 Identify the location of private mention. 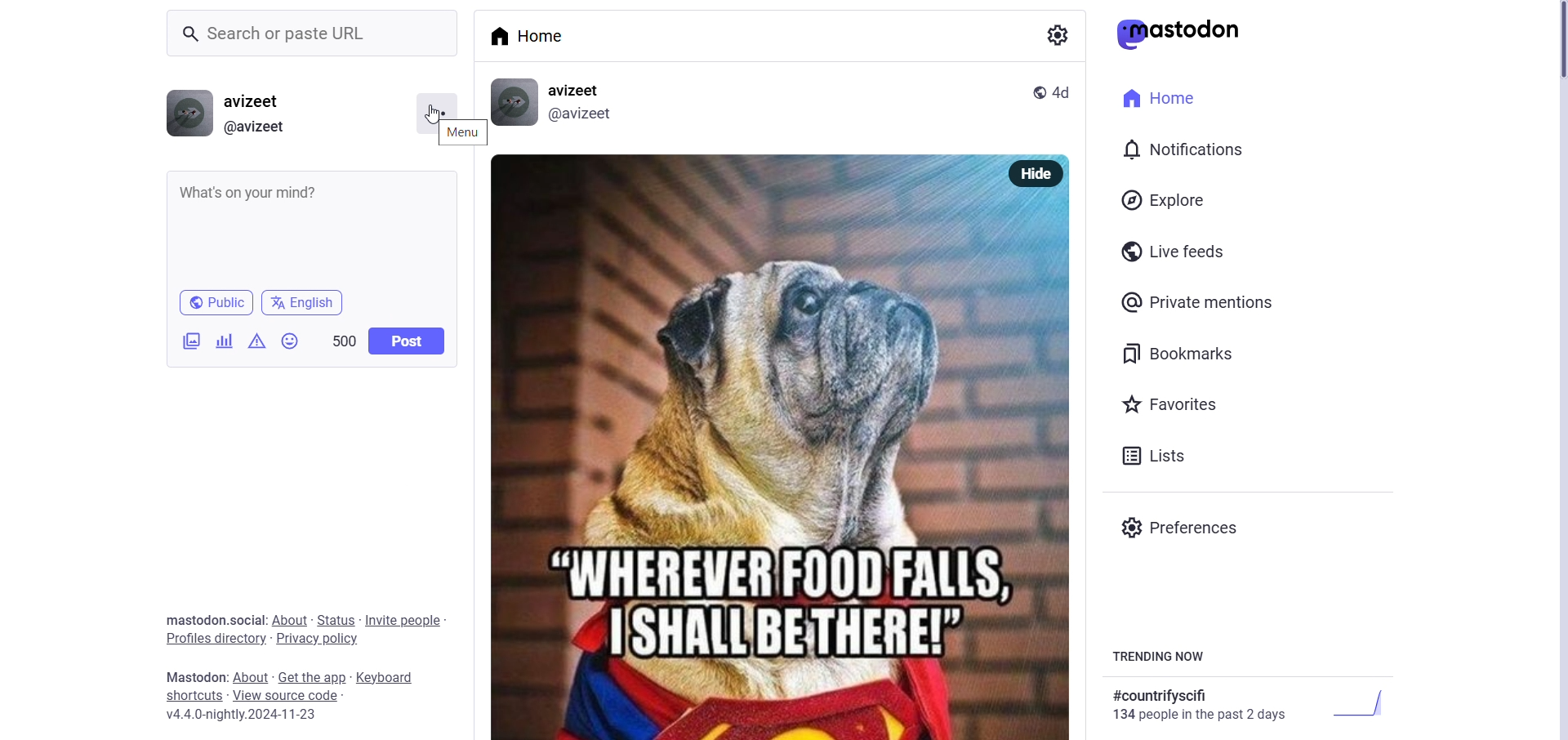
(1198, 301).